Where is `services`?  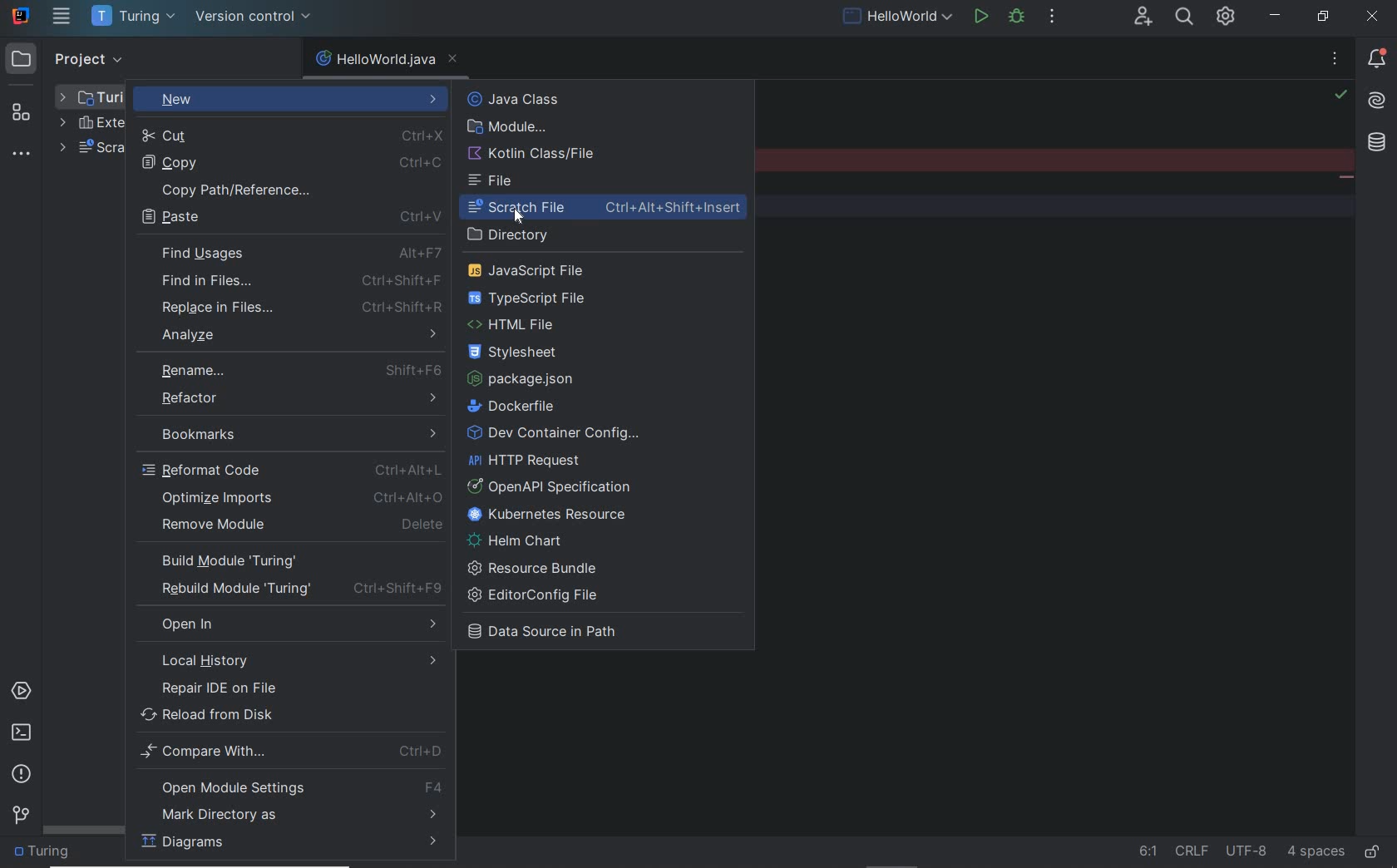
services is located at coordinates (20, 691).